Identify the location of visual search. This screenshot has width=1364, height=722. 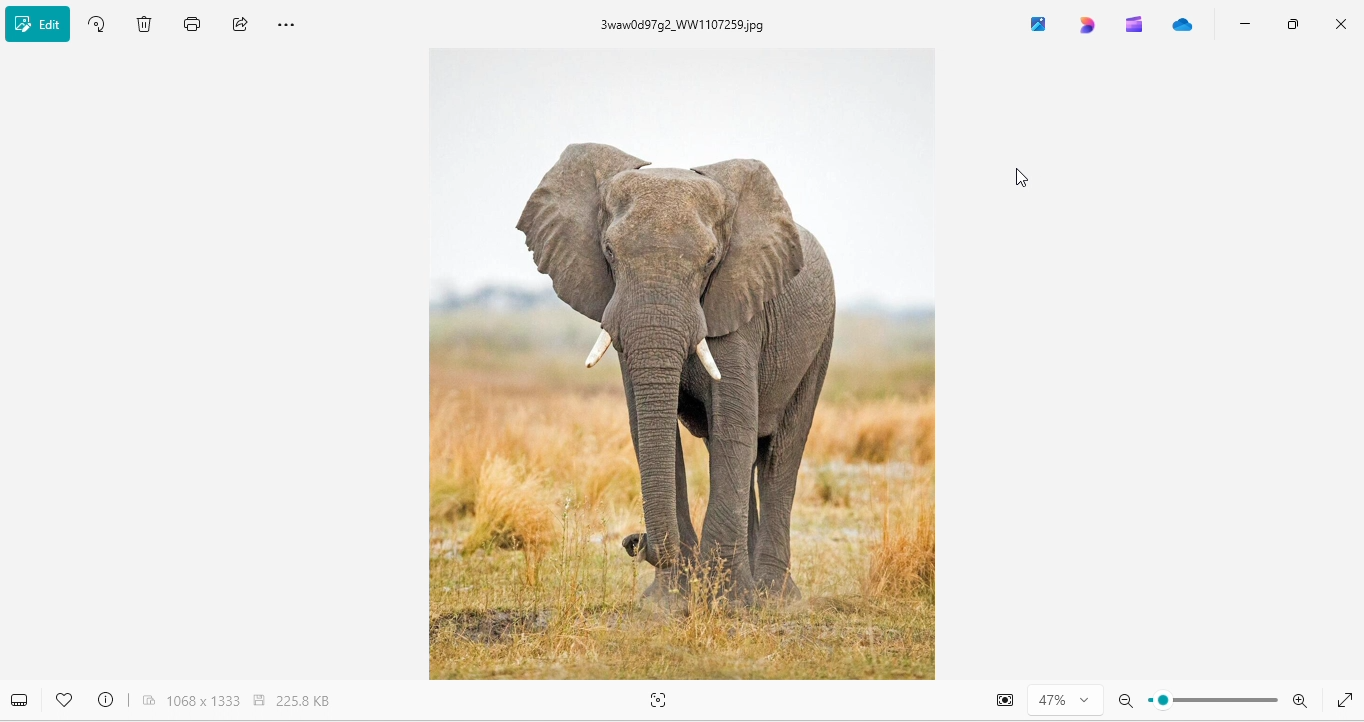
(657, 704).